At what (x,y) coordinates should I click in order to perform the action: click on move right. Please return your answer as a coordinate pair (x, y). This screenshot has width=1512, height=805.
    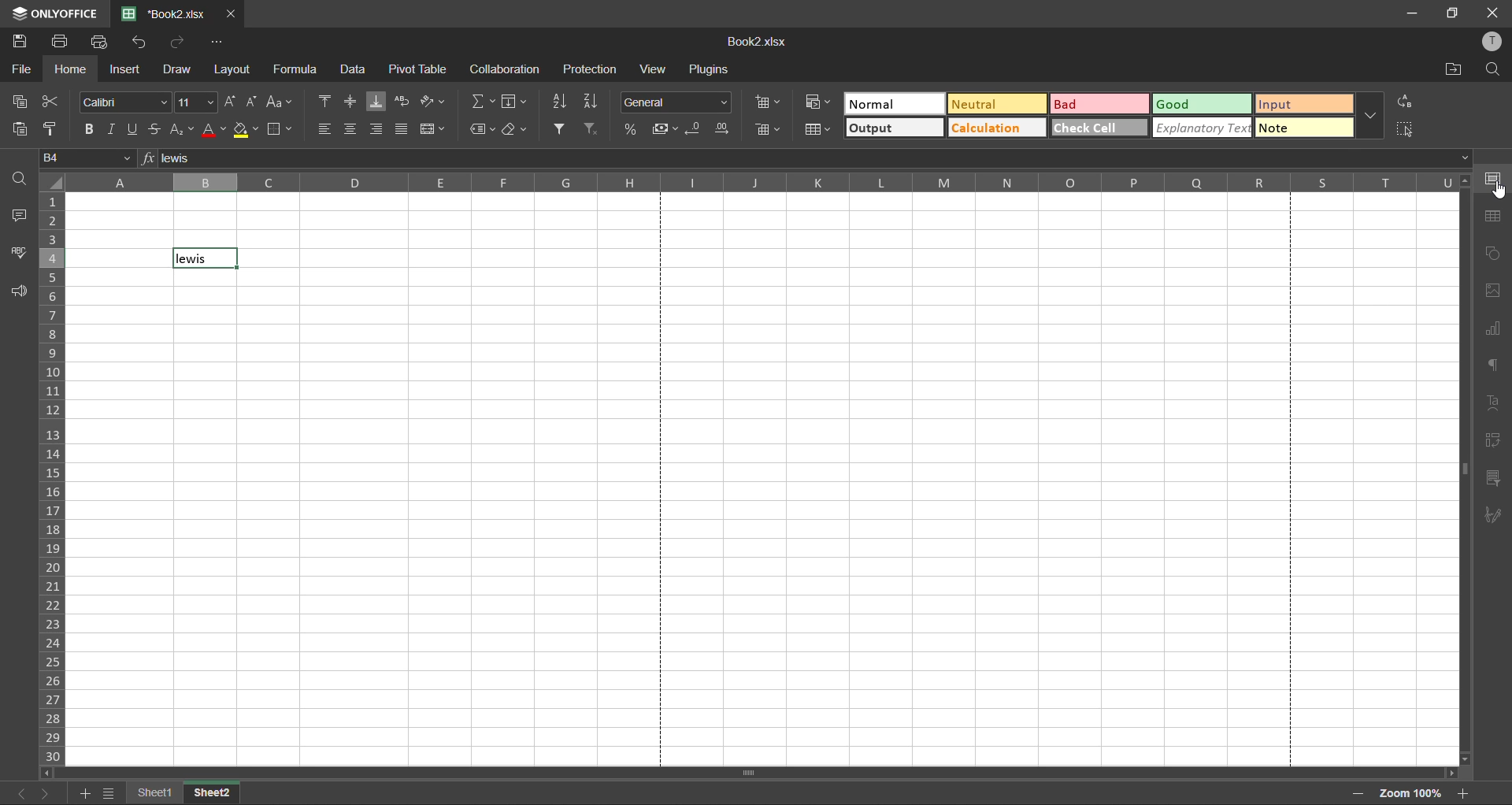
    Looking at the image, I should click on (1451, 773).